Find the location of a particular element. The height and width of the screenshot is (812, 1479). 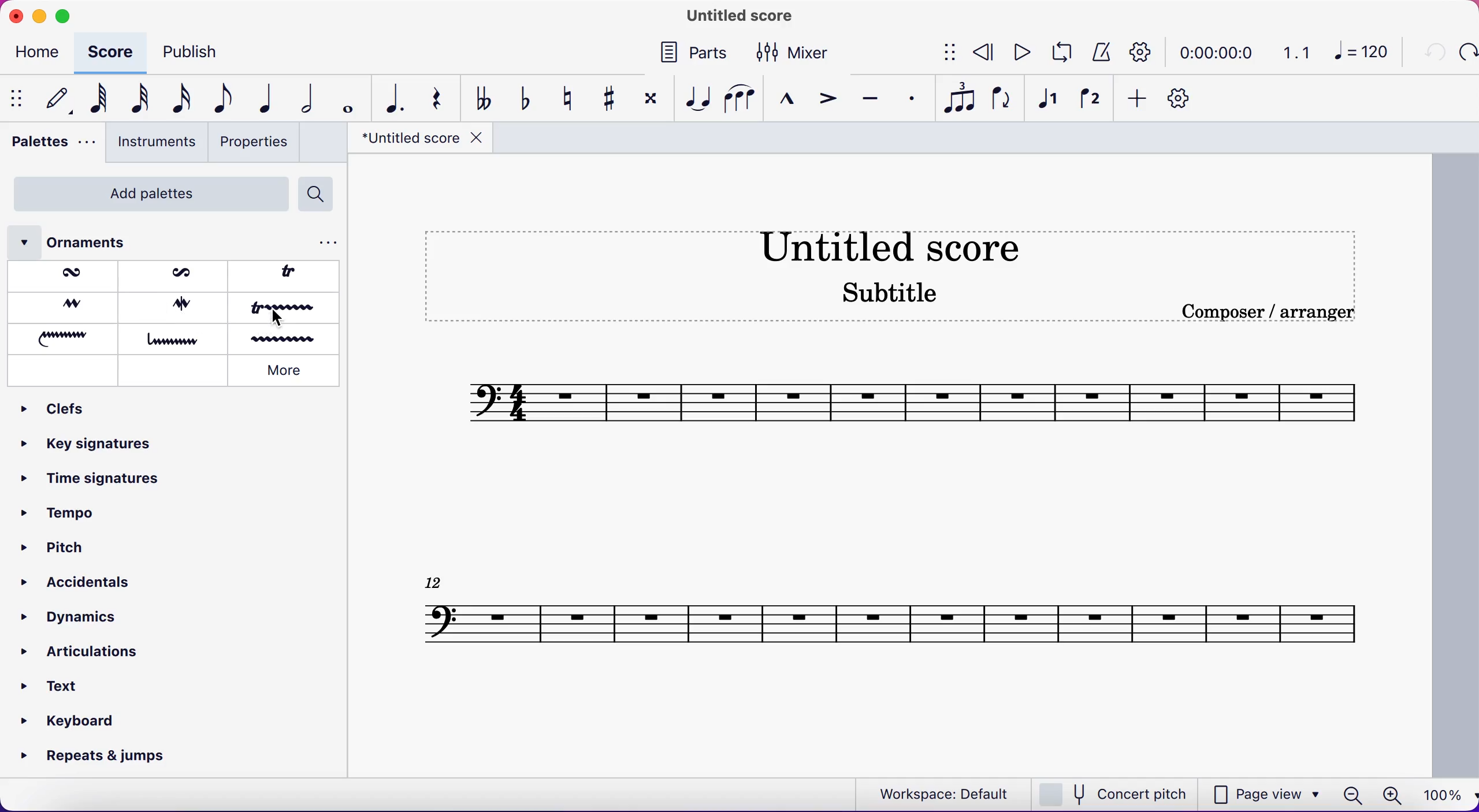

inverted turn is located at coordinates (178, 306).